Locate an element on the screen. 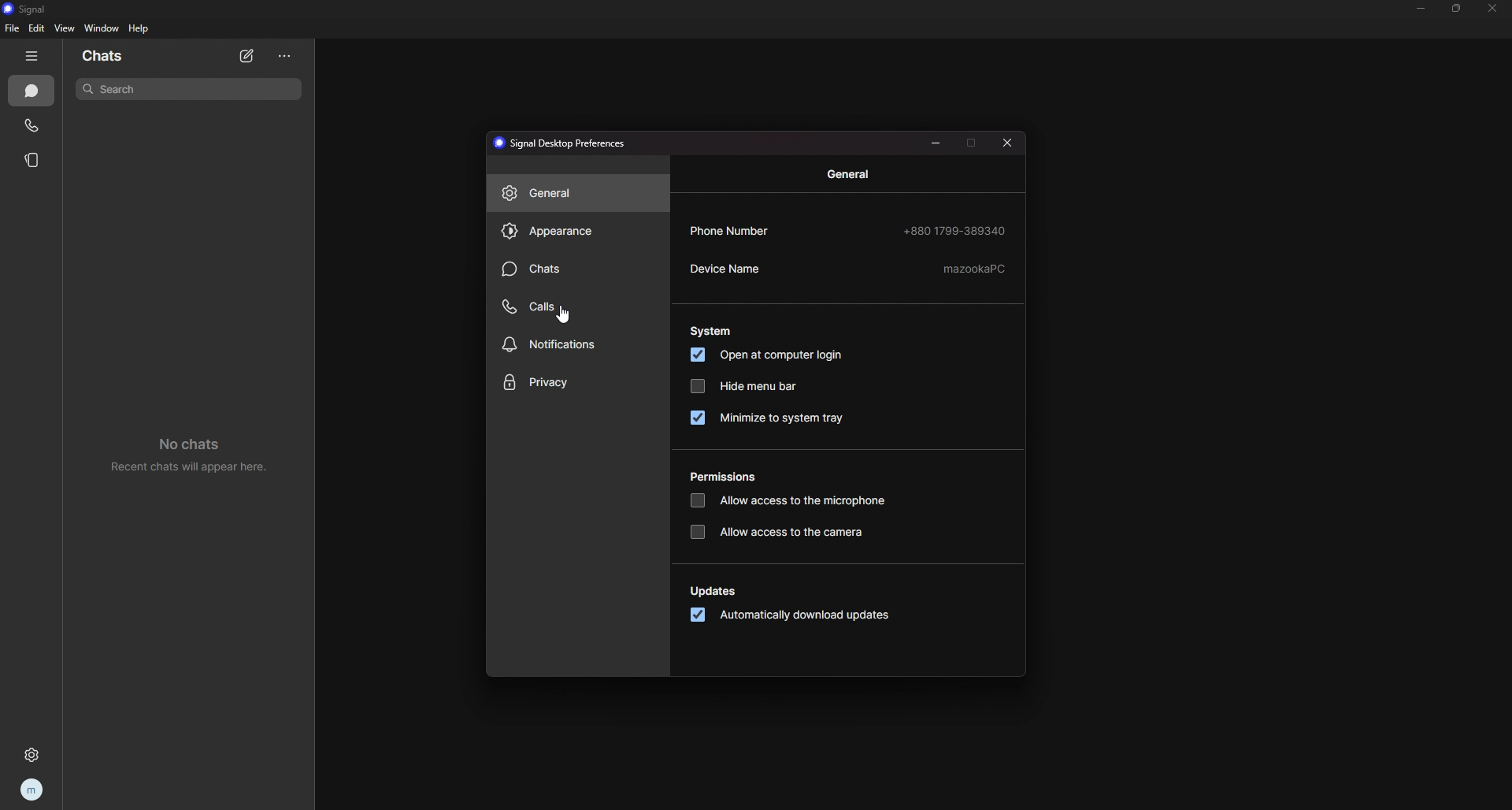 The width and height of the screenshot is (1512, 810). file is located at coordinates (12, 29).